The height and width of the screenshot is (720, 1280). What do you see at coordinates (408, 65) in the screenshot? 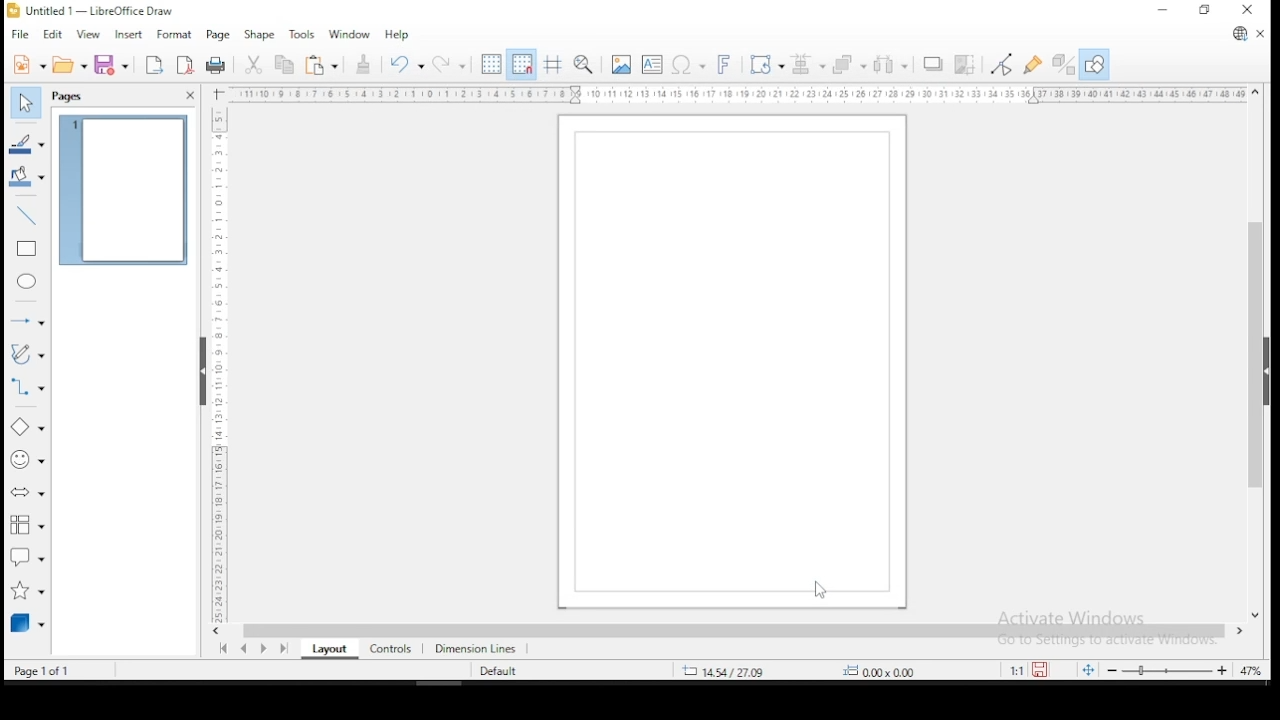
I see `undo` at bounding box center [408, 65].